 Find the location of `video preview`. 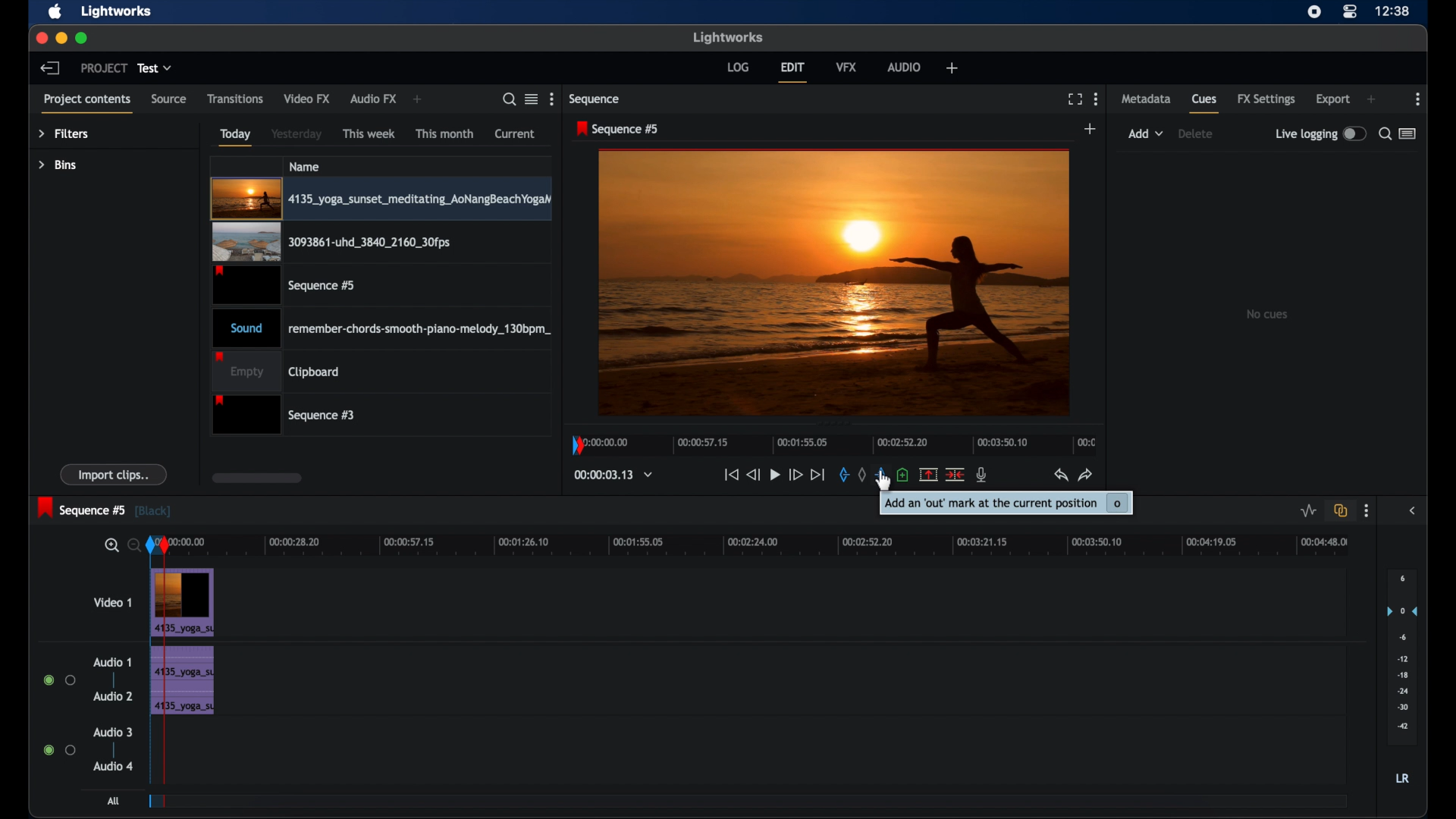

video preview is located at coordinates (833, 282).